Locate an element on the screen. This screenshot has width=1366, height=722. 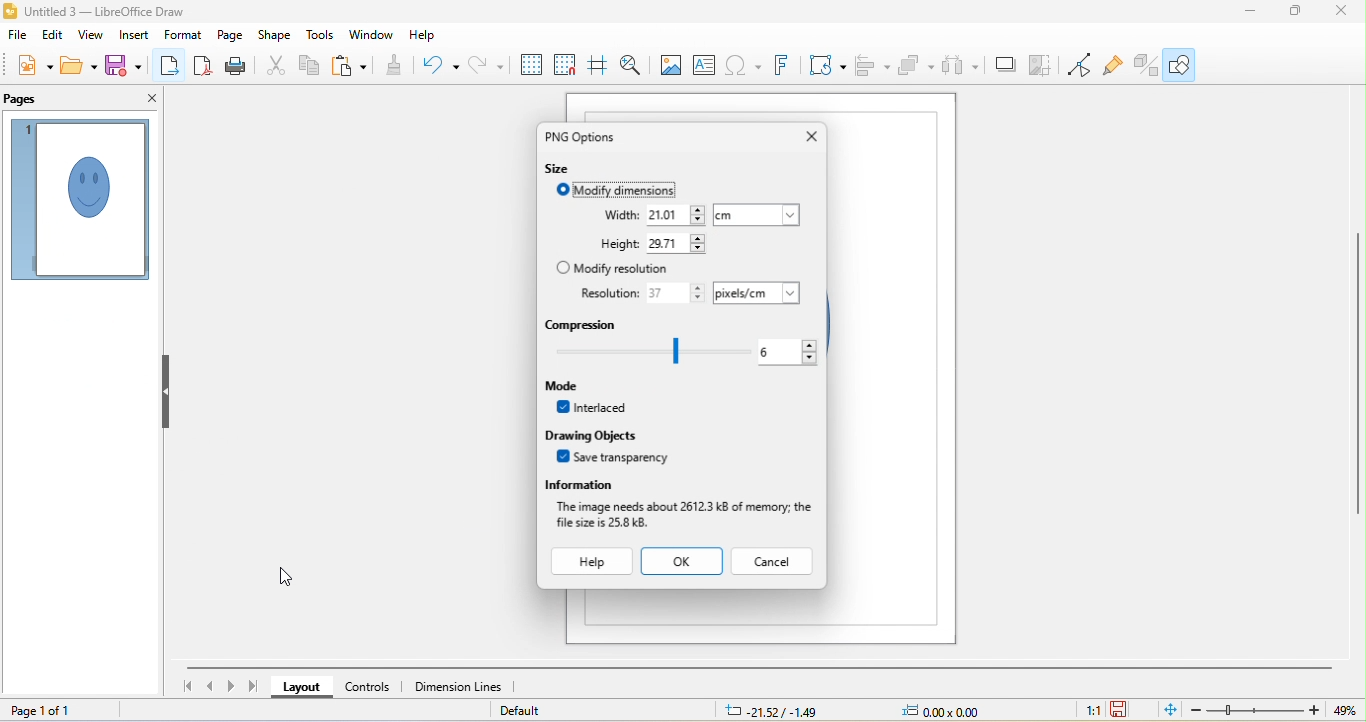
undo is located at coordinates (441, 63).